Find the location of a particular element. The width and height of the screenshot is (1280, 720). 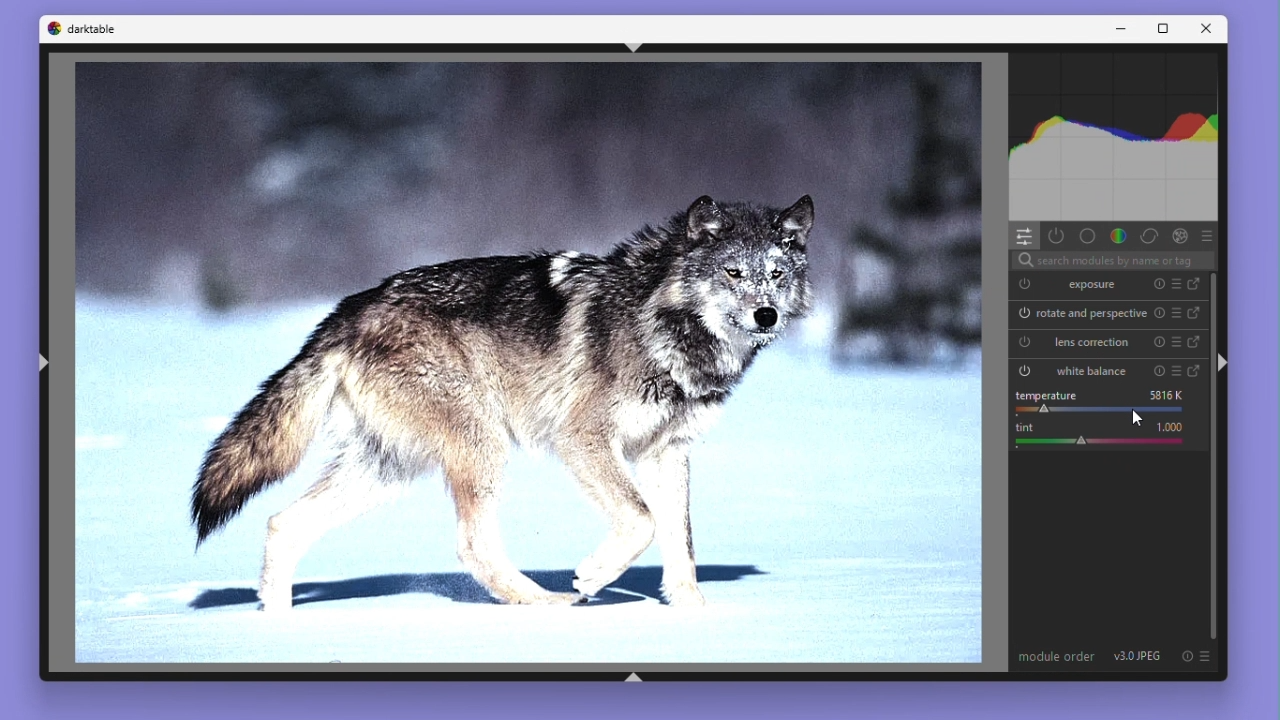

Preset is located at coordinates (1208, 234).